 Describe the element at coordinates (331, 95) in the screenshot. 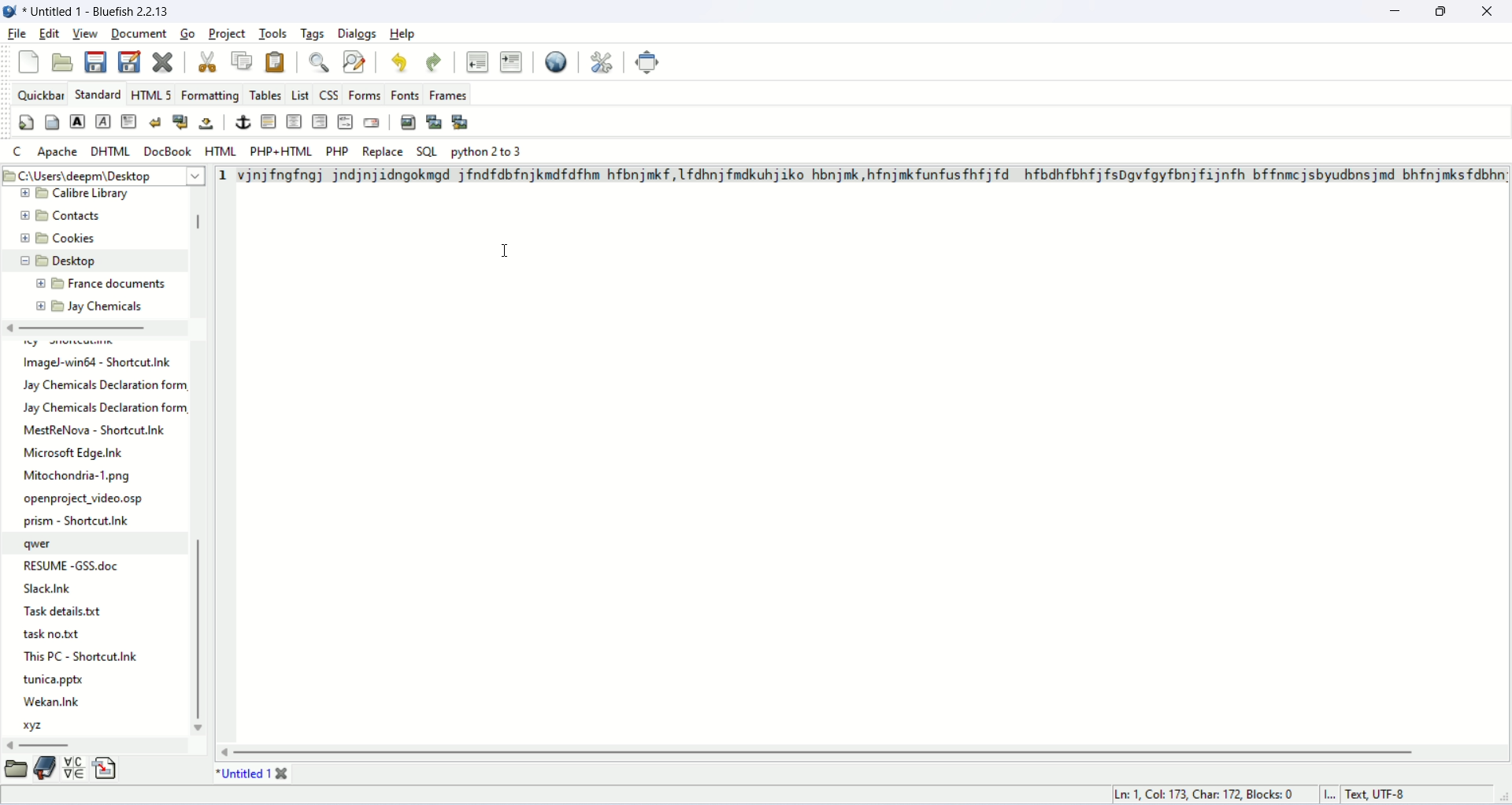

I see `CSS` at that location.